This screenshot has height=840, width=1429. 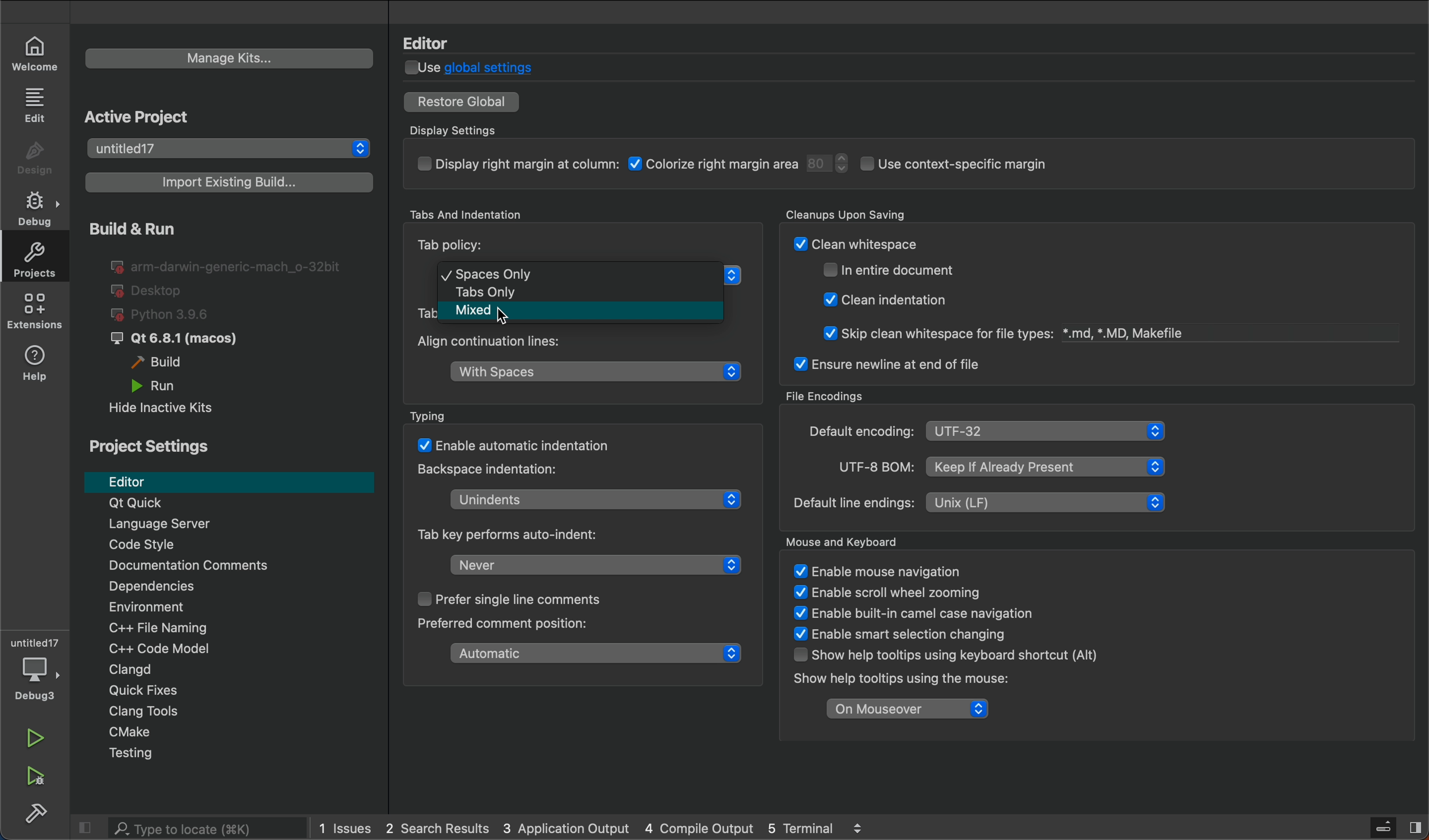 What do you see at coordinates (145, 117) in the screenshot?
I see `Active Project` at bounding box center [145, 117].